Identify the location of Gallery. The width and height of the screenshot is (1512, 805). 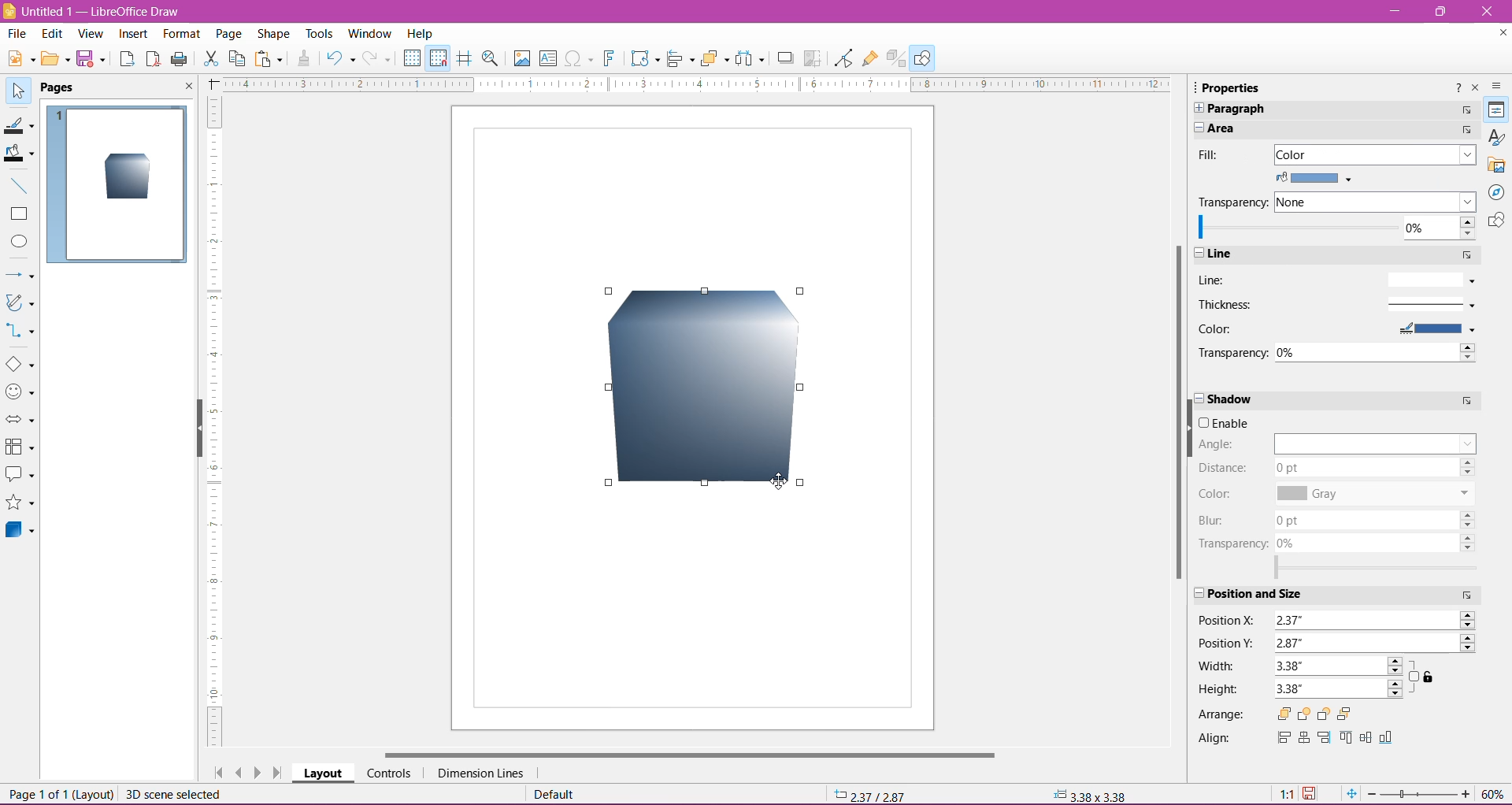
(1496, 165).